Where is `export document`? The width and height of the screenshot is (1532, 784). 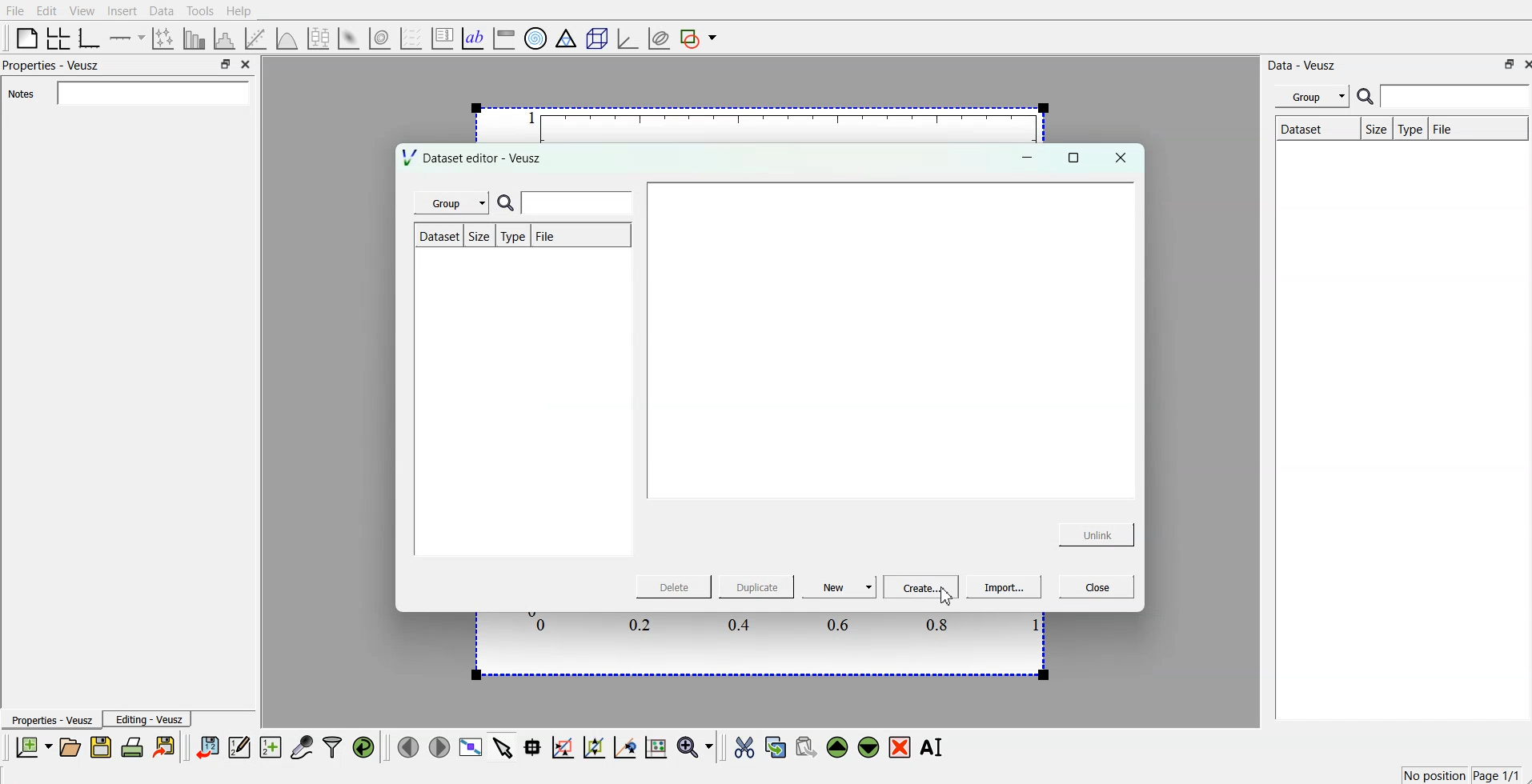 export document is located at coordinates (165, 748).